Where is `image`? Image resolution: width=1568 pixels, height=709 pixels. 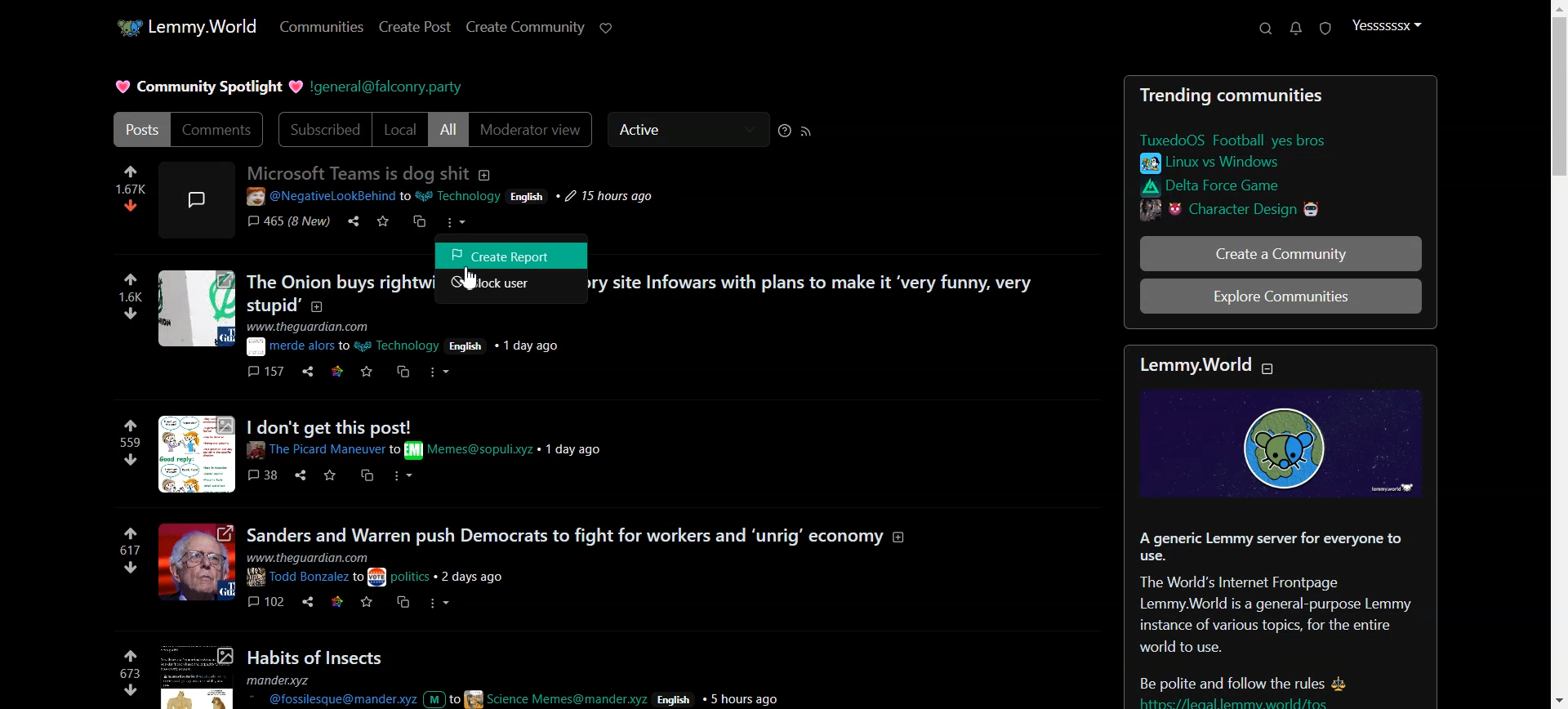 image is located at coordinates (194, 198).